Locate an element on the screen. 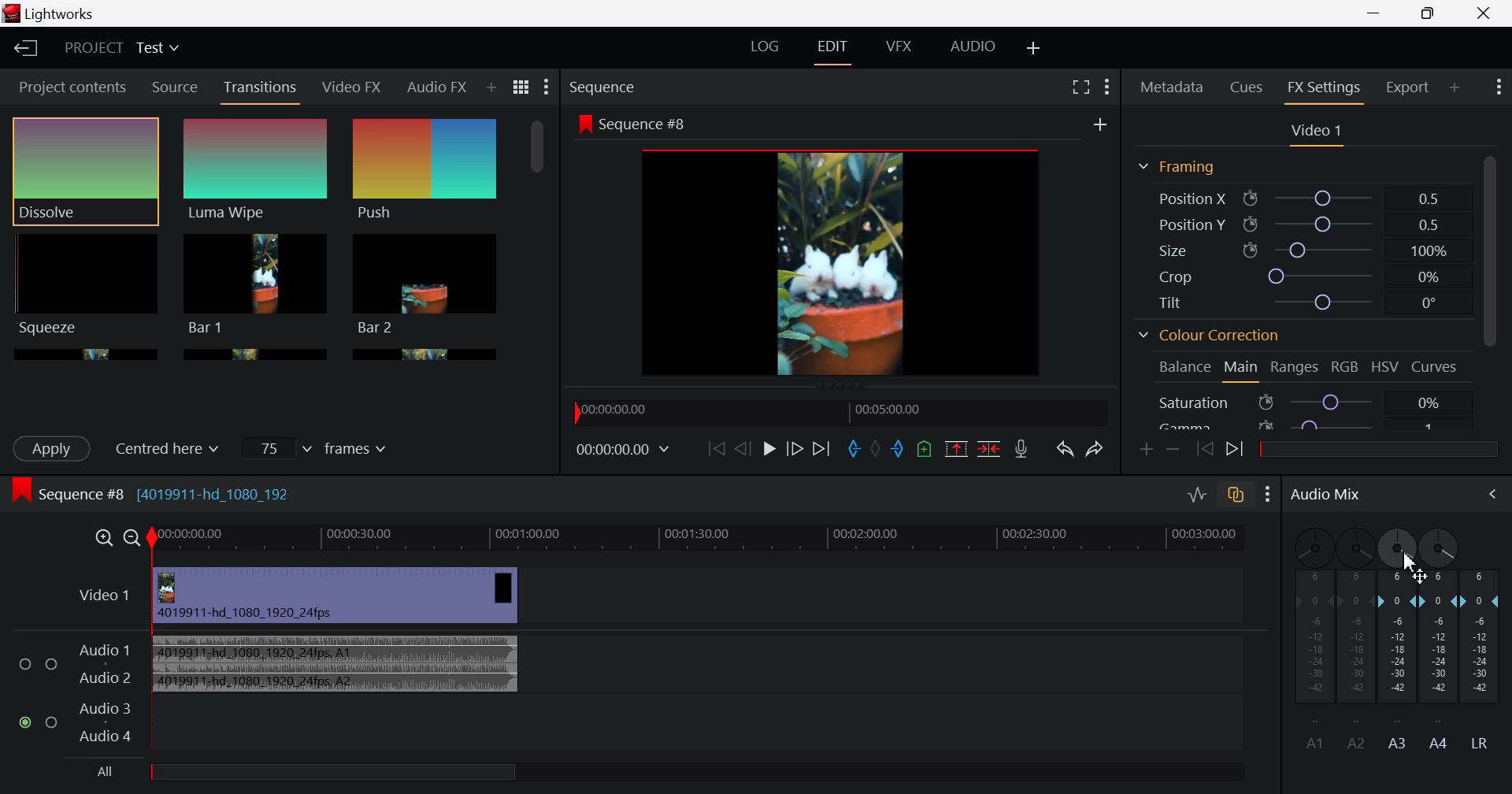 This screenshot has width=1512, height=794. Crop is located at coordinates (1303, 275).